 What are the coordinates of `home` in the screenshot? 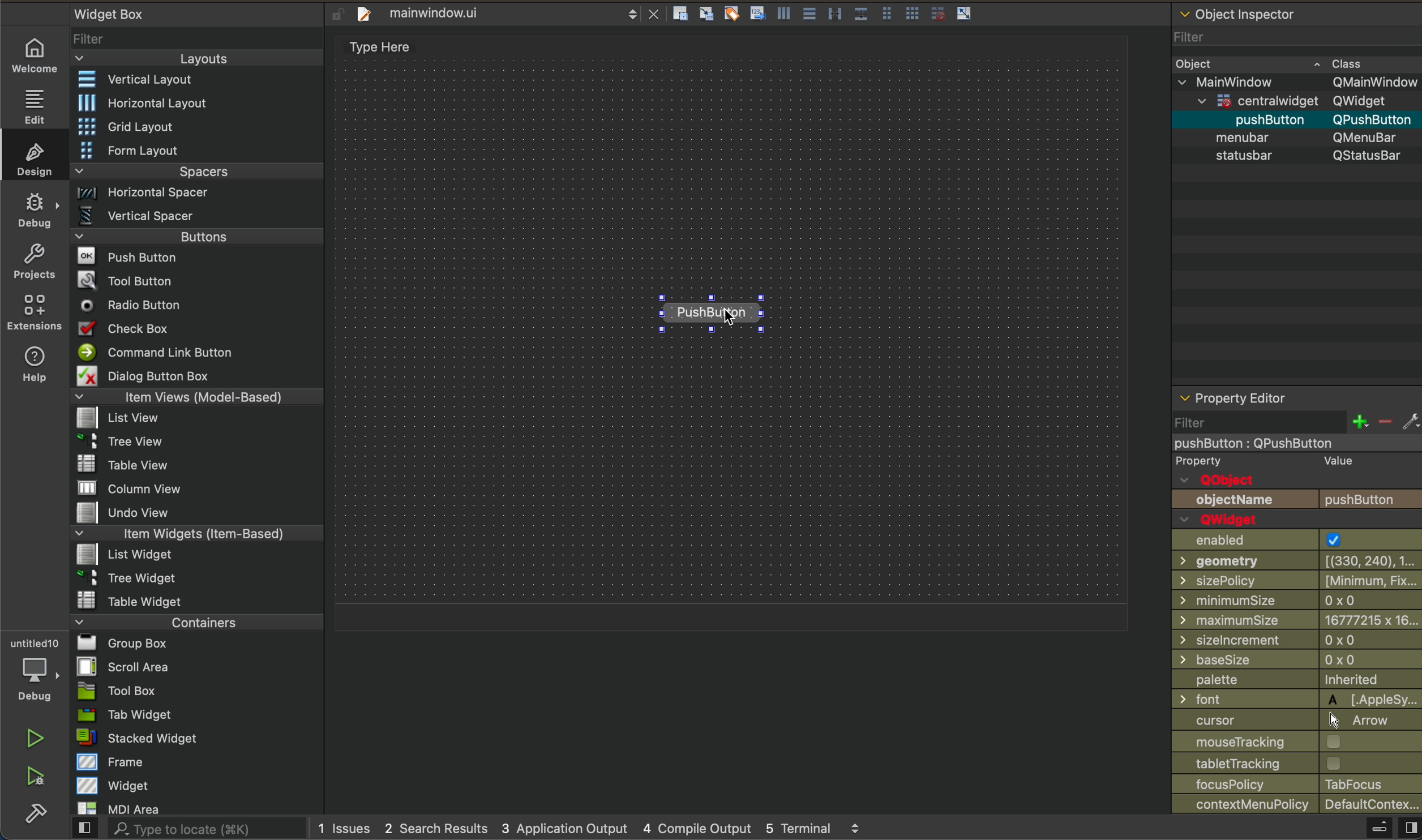 It's located at (35, 53).